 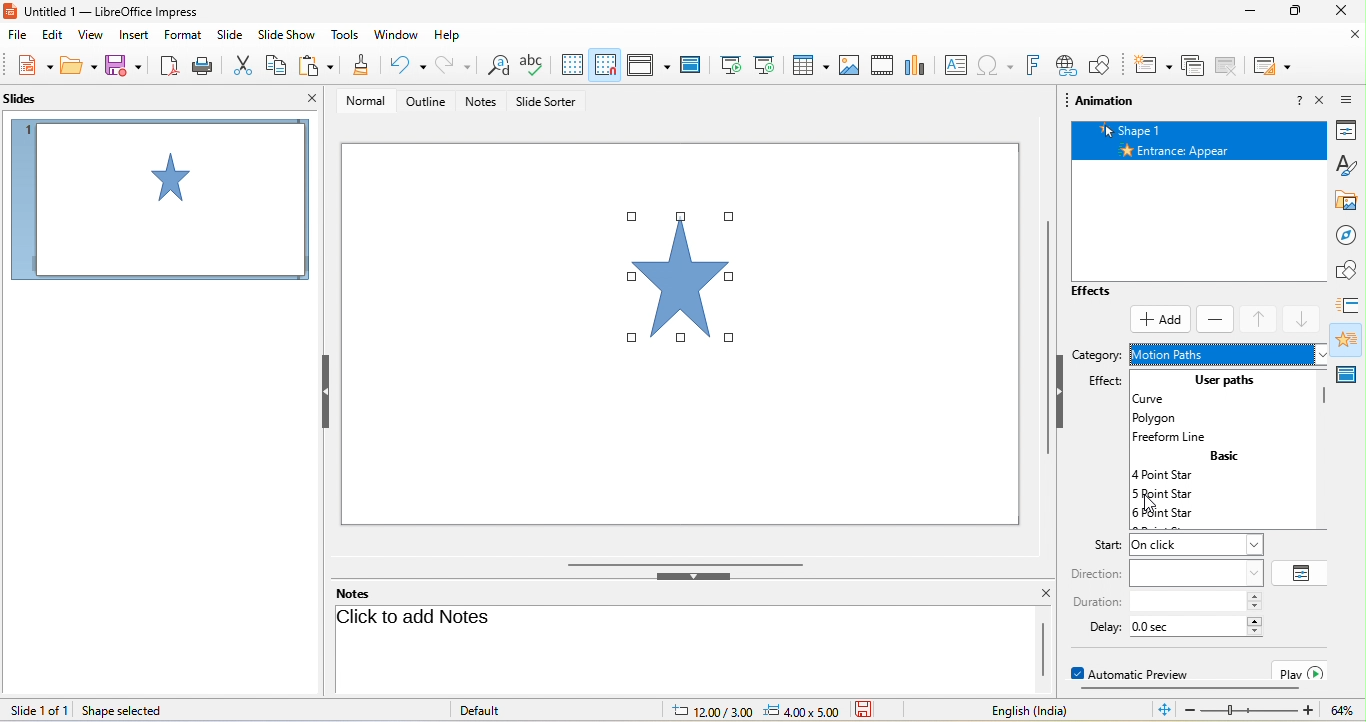 What do you see at coordinates (1042, 331) in the screenshot?
I see `vertical scrollbar` at bounding box center [1042, 331].